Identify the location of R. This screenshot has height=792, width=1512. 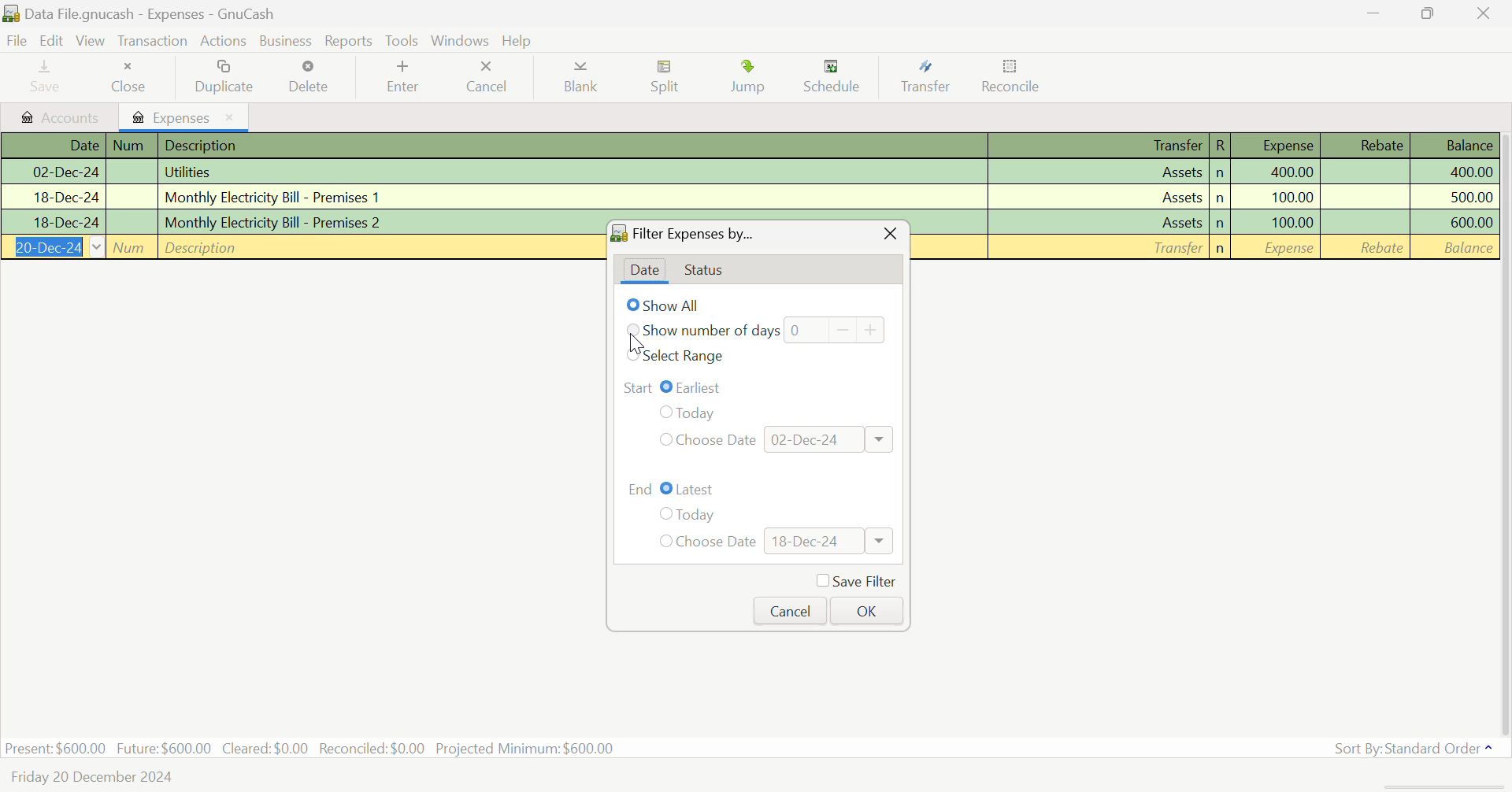
(1221, 146).